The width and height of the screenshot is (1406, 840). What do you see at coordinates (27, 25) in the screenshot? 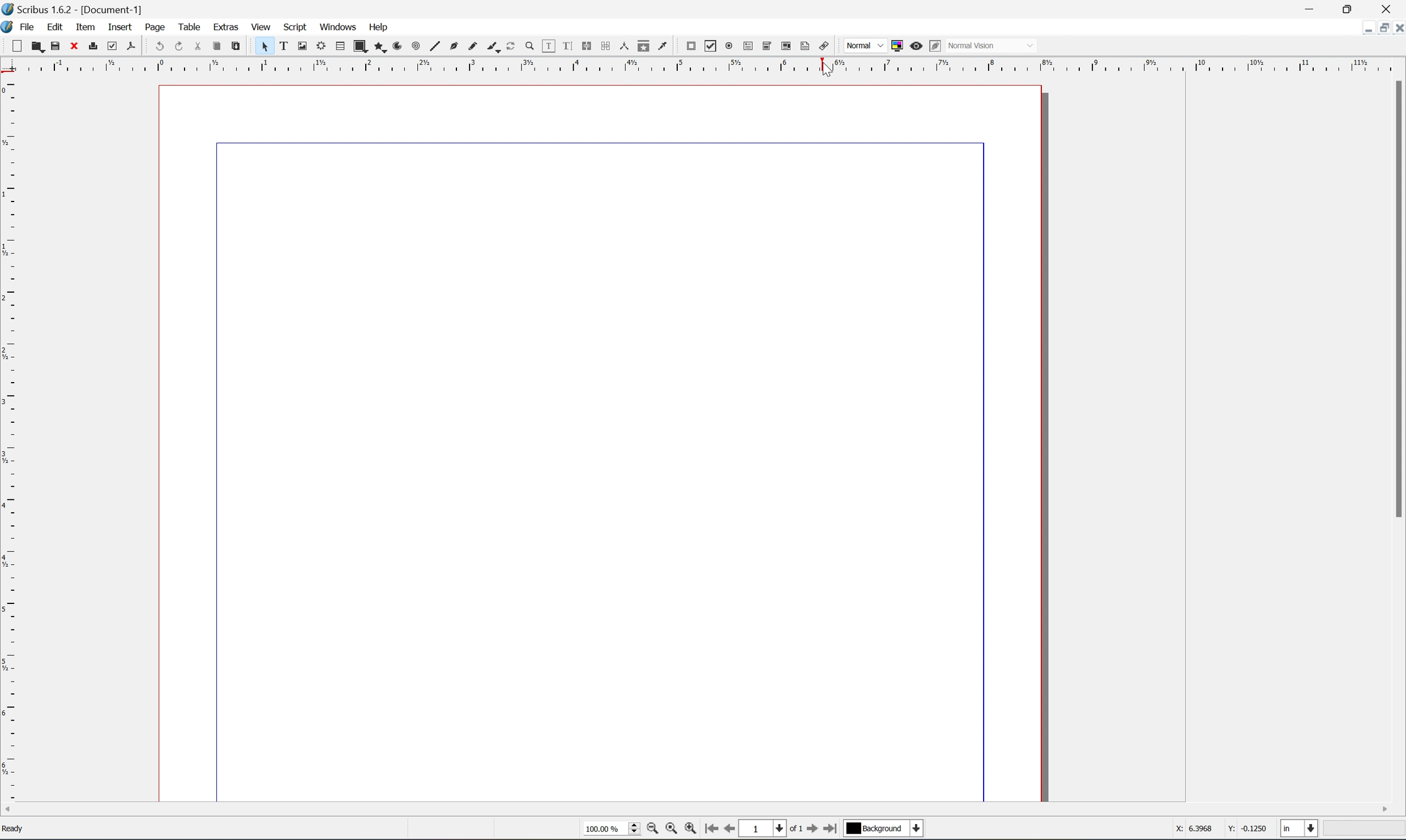
I see `file` at bounding box center [27, 25].